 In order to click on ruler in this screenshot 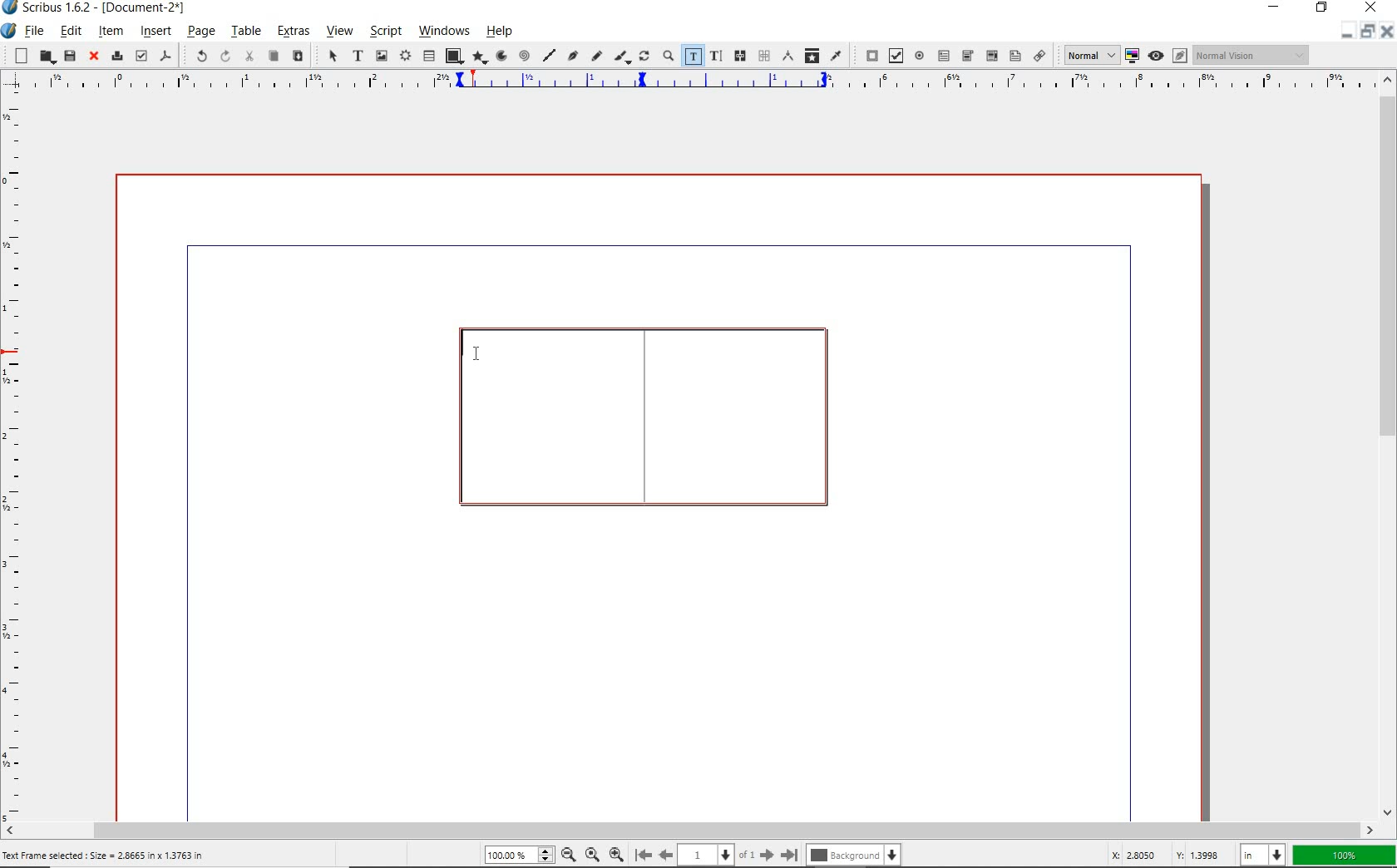, I will do `click(17, 456)`.